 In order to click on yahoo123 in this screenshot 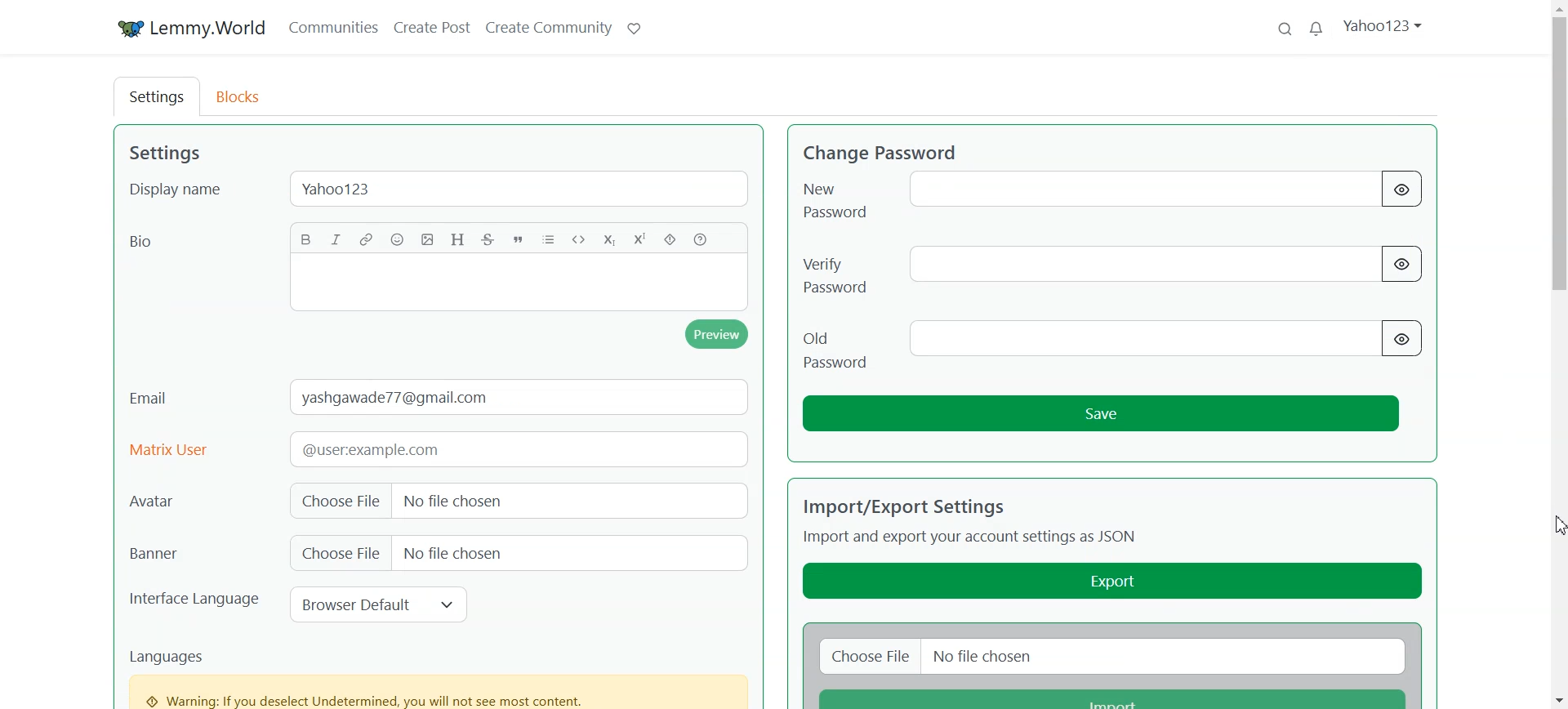, I will do `click(1384, 25)`.